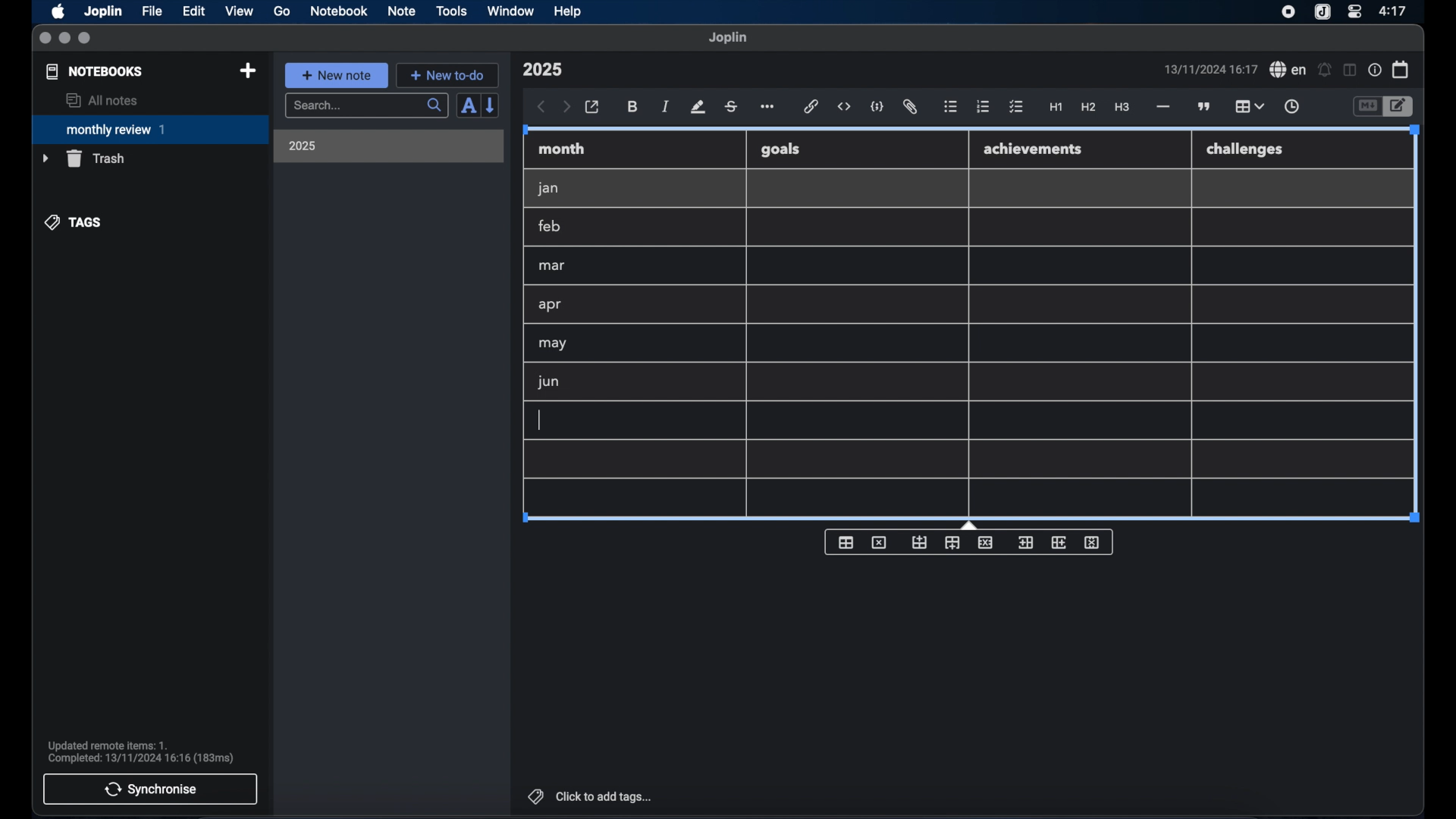  Describe the element at coordinates (511, 11) in the screenshot. I see `window` at that location.